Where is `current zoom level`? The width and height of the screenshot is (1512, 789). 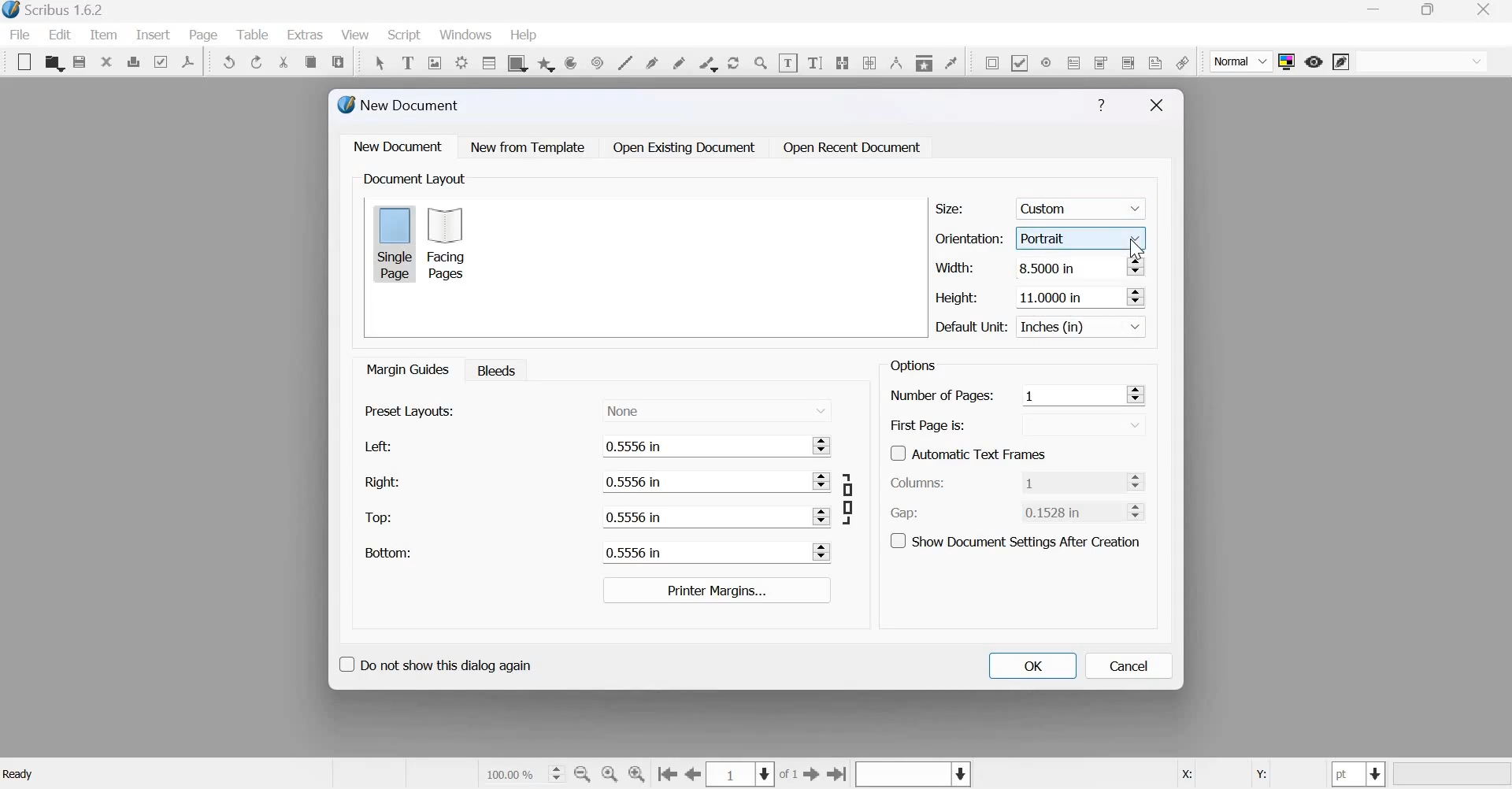 current zoom level is located at coordinates (523, 773).